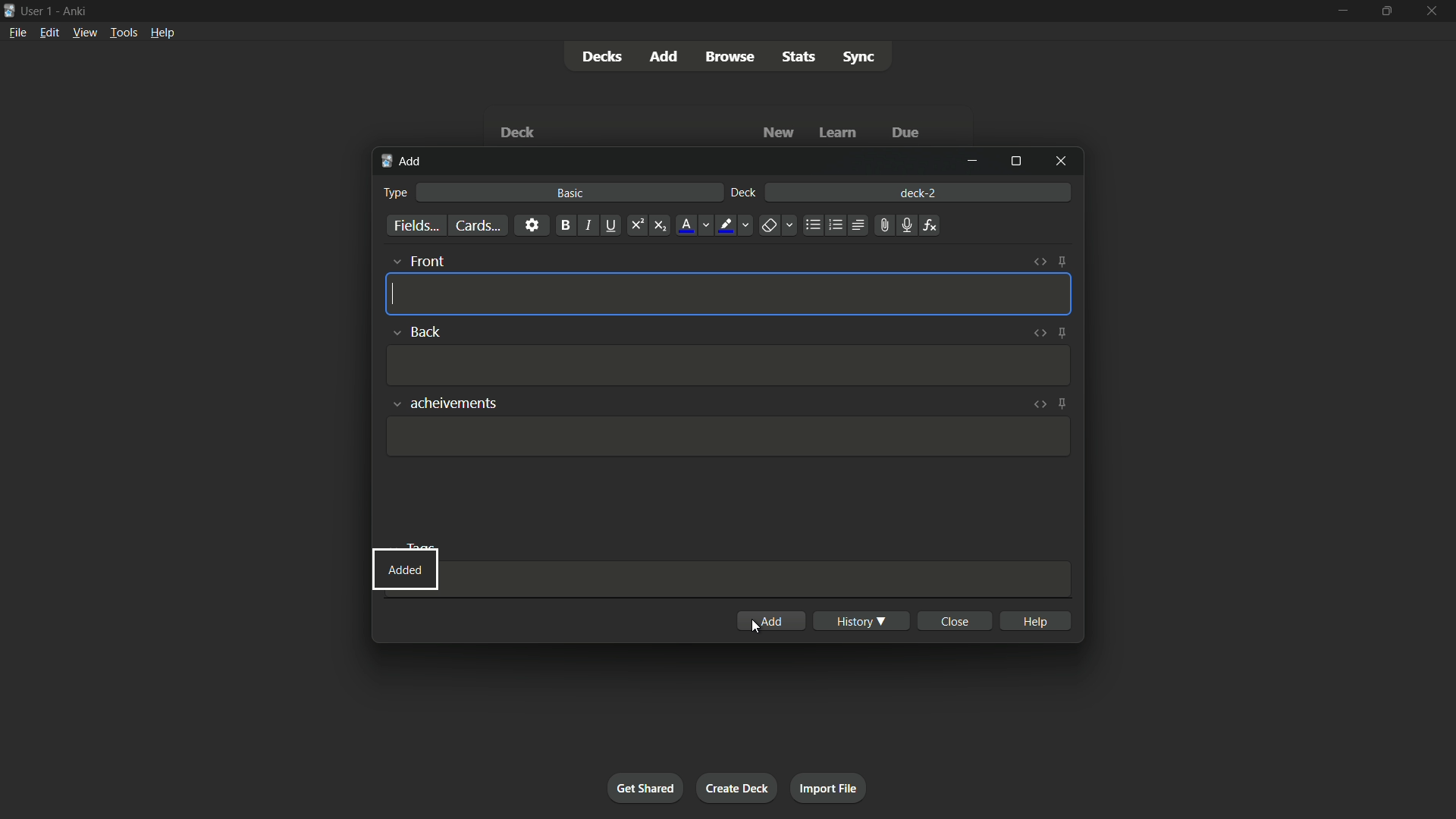 Image resolution: width=1456 pixels, height=819 pixels. I want to click on Due, so click(907, 132).